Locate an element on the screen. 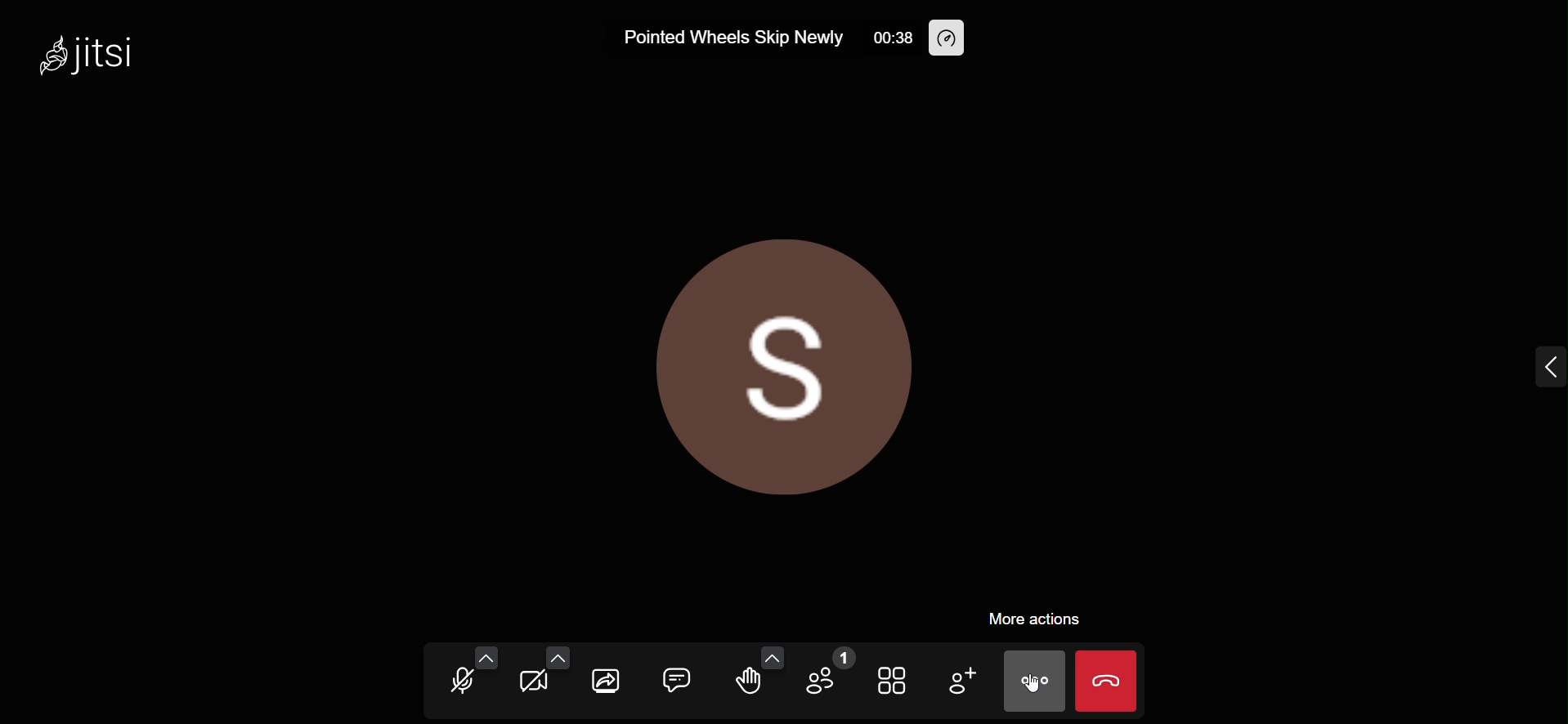 This screenshot has height=724, width=1568. expand is located at coordinates (1535, 364).